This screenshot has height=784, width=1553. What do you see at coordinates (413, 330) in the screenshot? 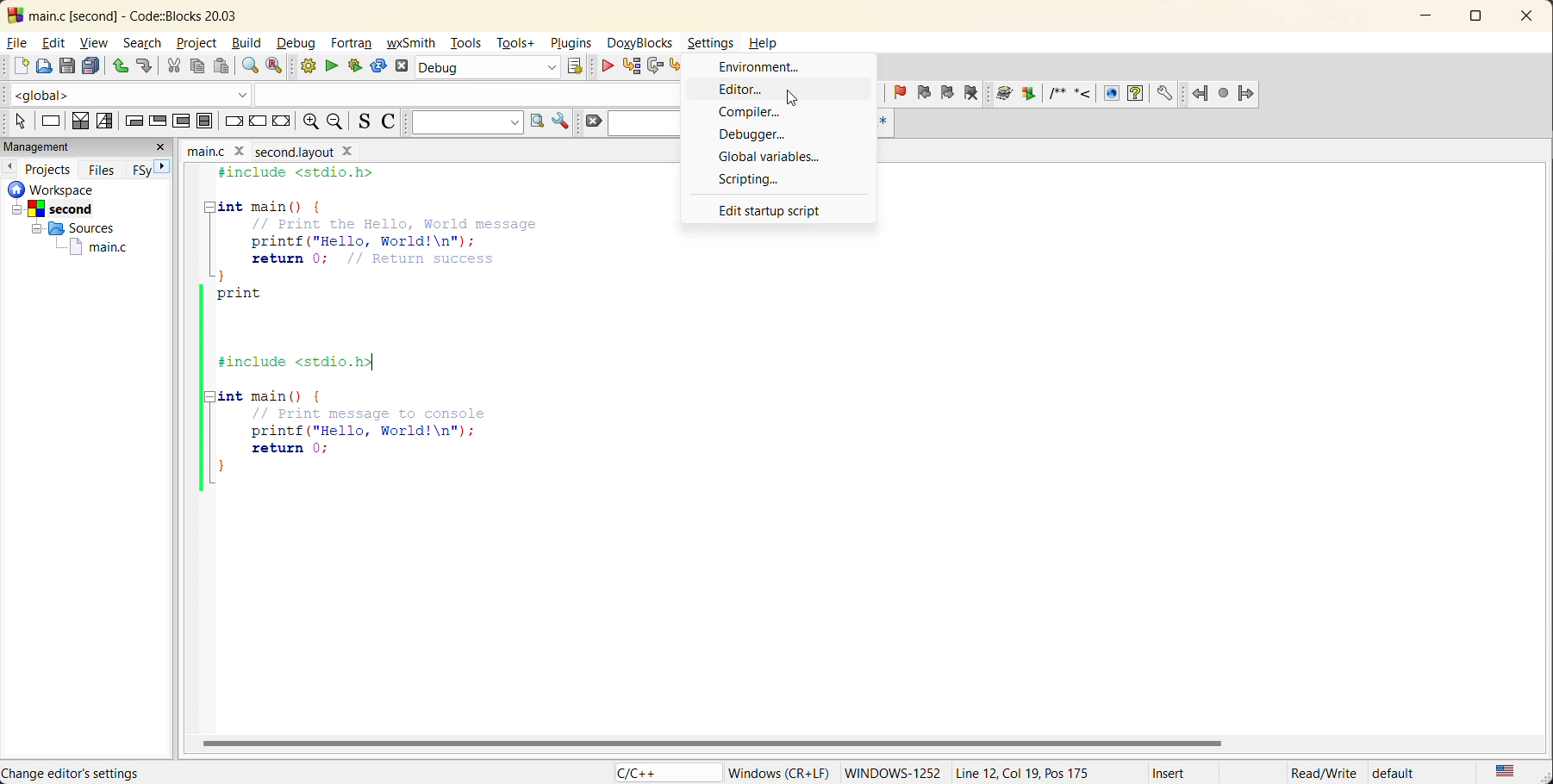
I see `code editor` at bounding box center [413, 330].